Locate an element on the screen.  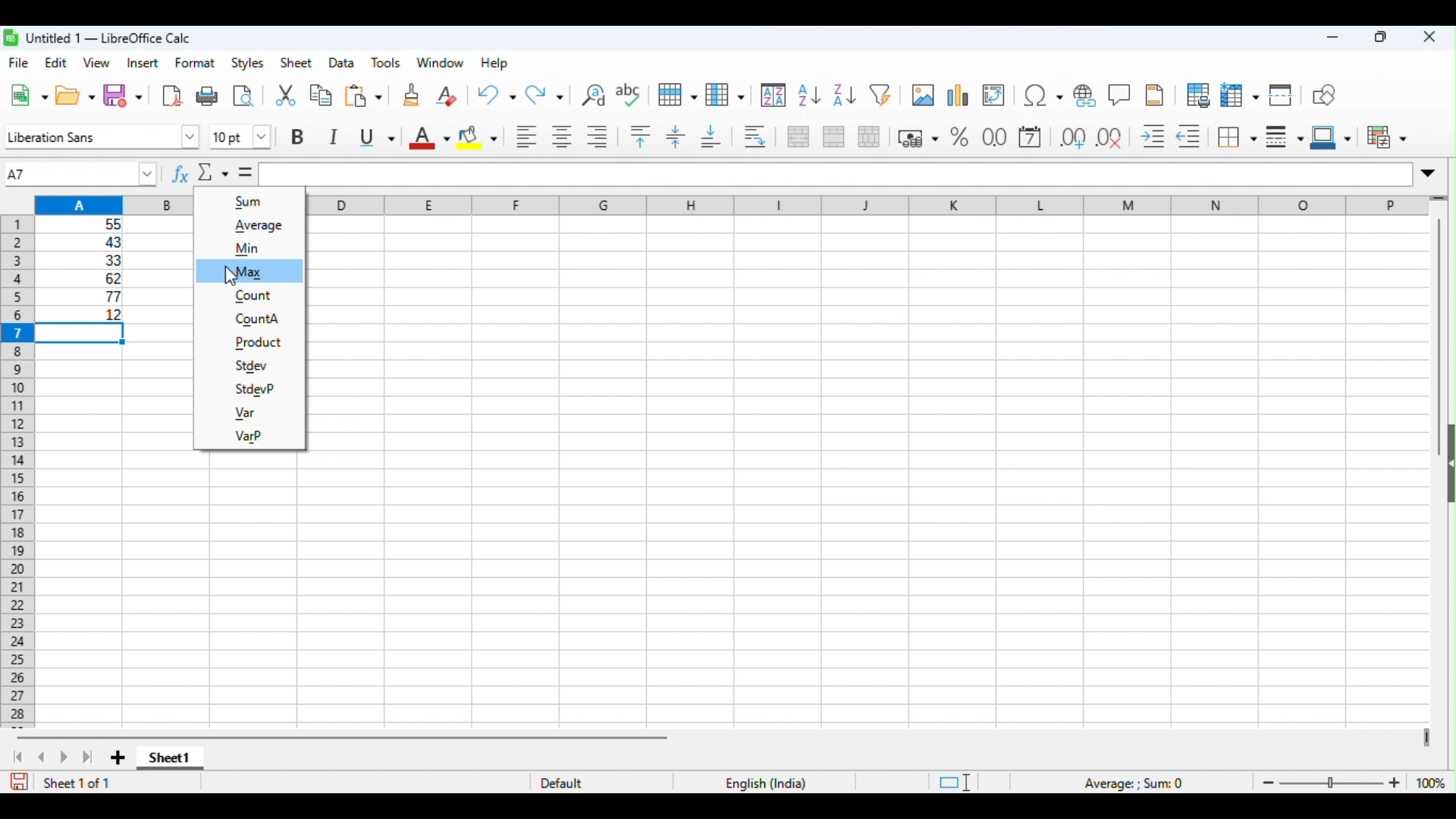
vertical scroll bar is located at coordinates (1438, 311).